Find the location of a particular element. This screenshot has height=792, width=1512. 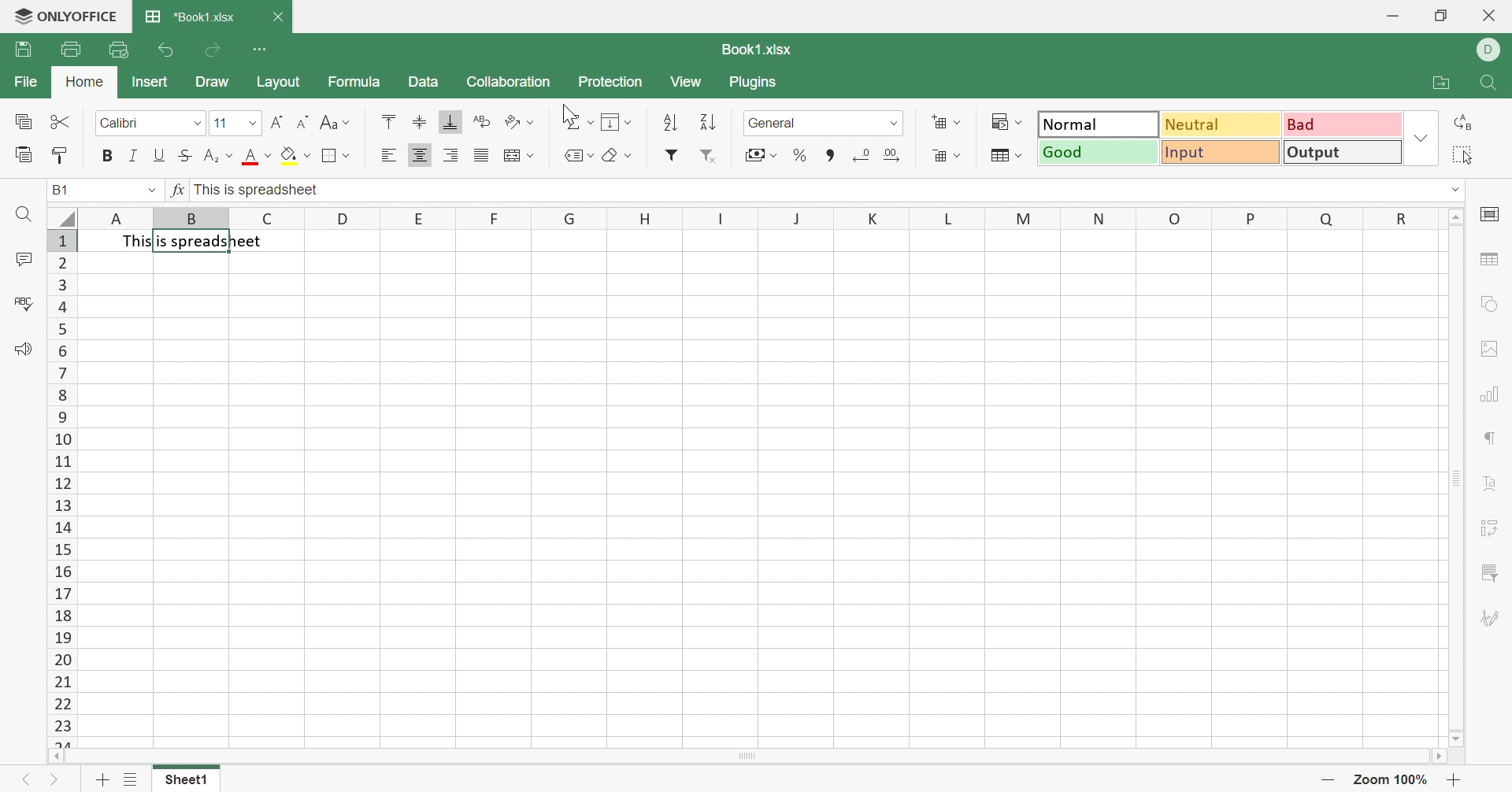

Drop Down is located at coordinates (306, 156).